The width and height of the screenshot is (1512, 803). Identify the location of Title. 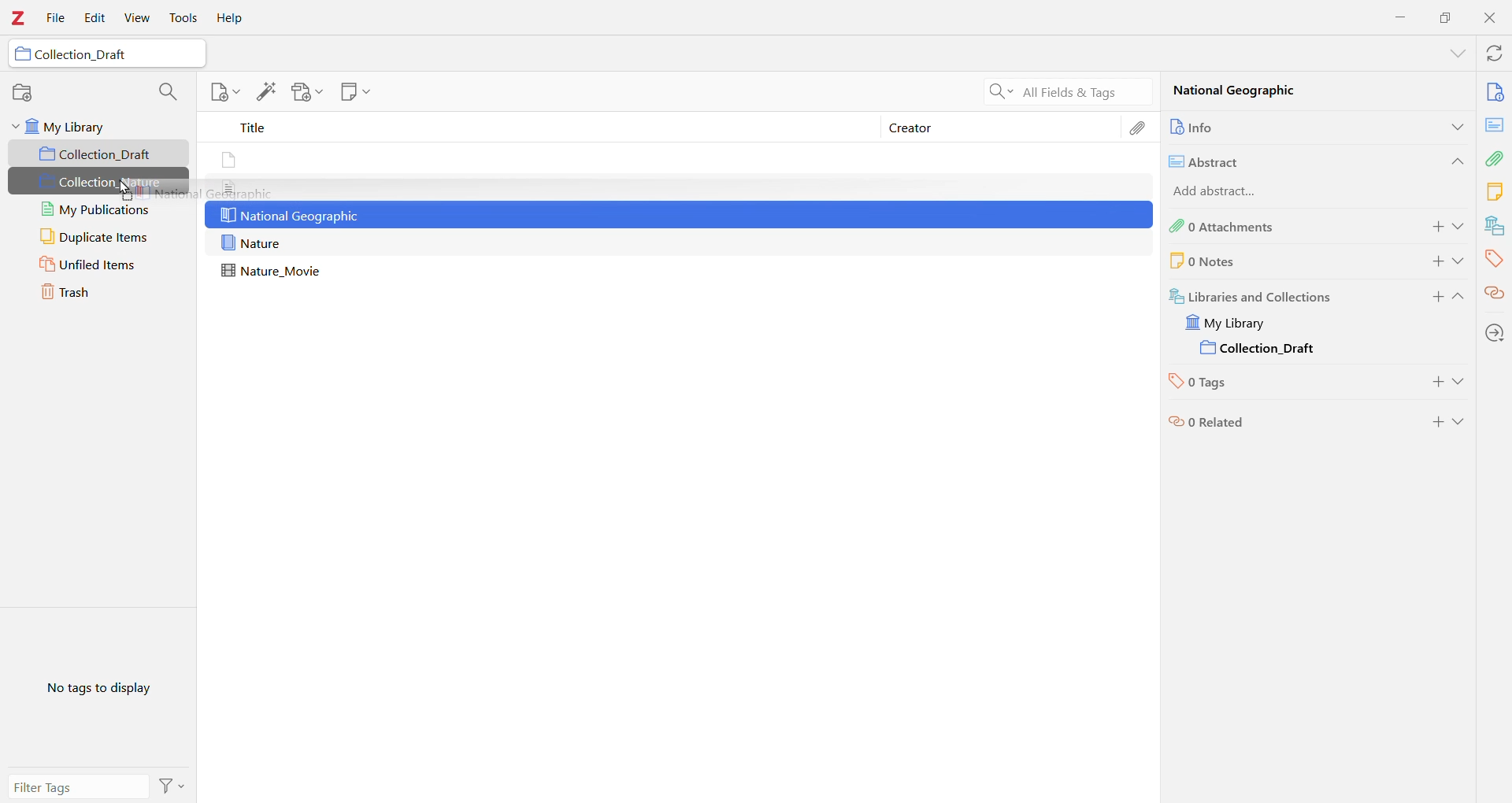
(543, 130).